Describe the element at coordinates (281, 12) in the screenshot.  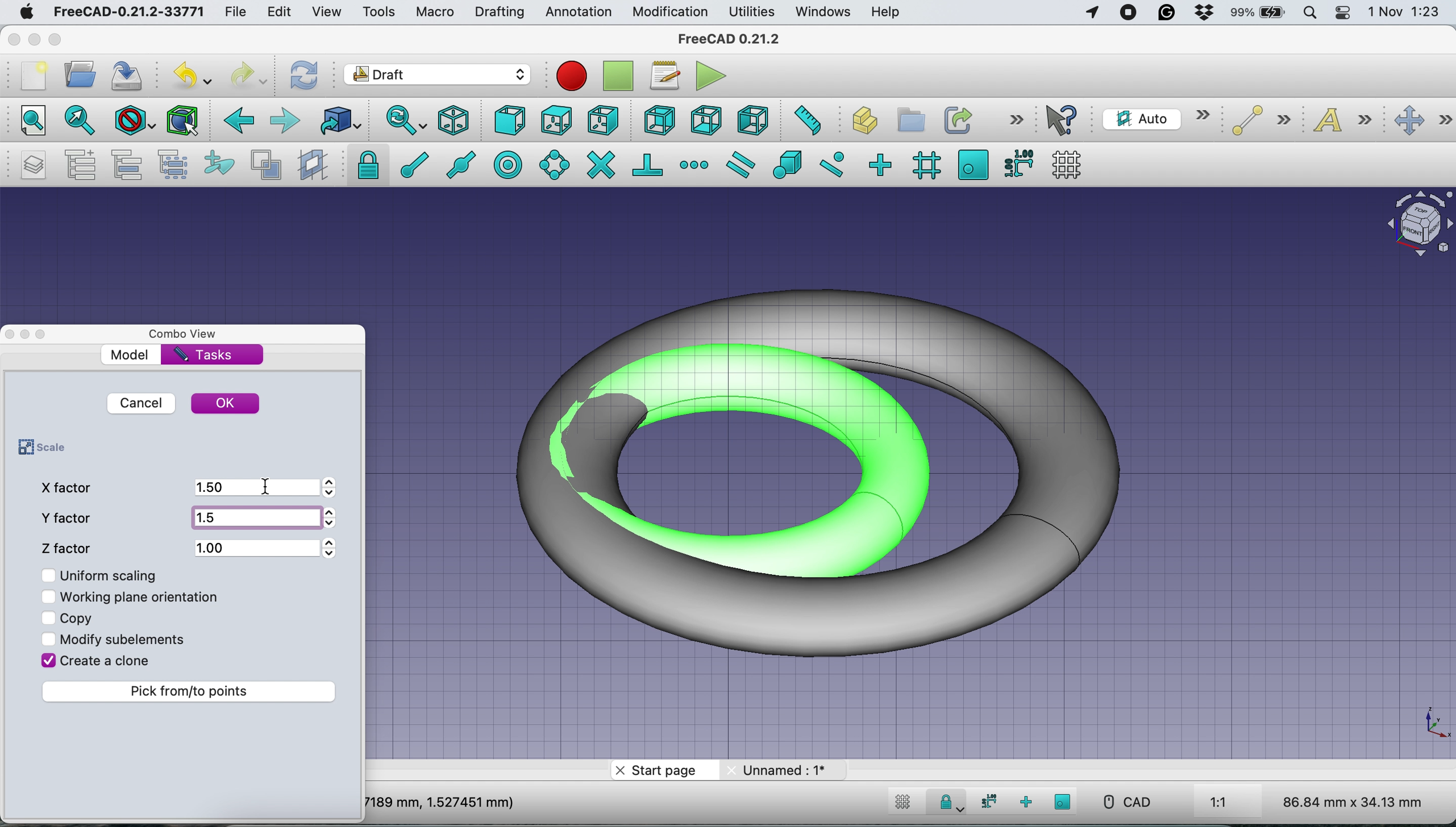
I see `edit` at that location.